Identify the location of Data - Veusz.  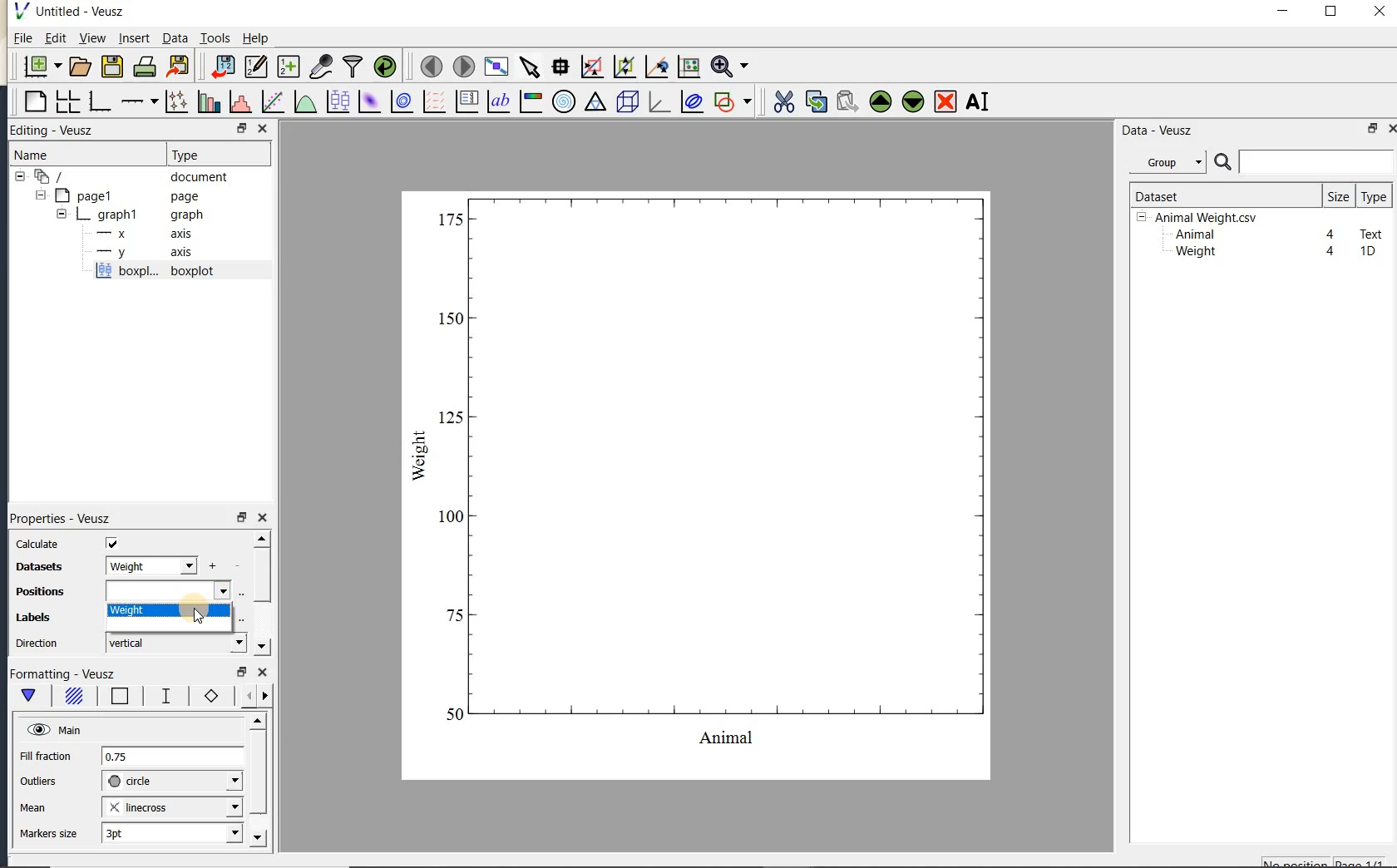
(1172, 163).